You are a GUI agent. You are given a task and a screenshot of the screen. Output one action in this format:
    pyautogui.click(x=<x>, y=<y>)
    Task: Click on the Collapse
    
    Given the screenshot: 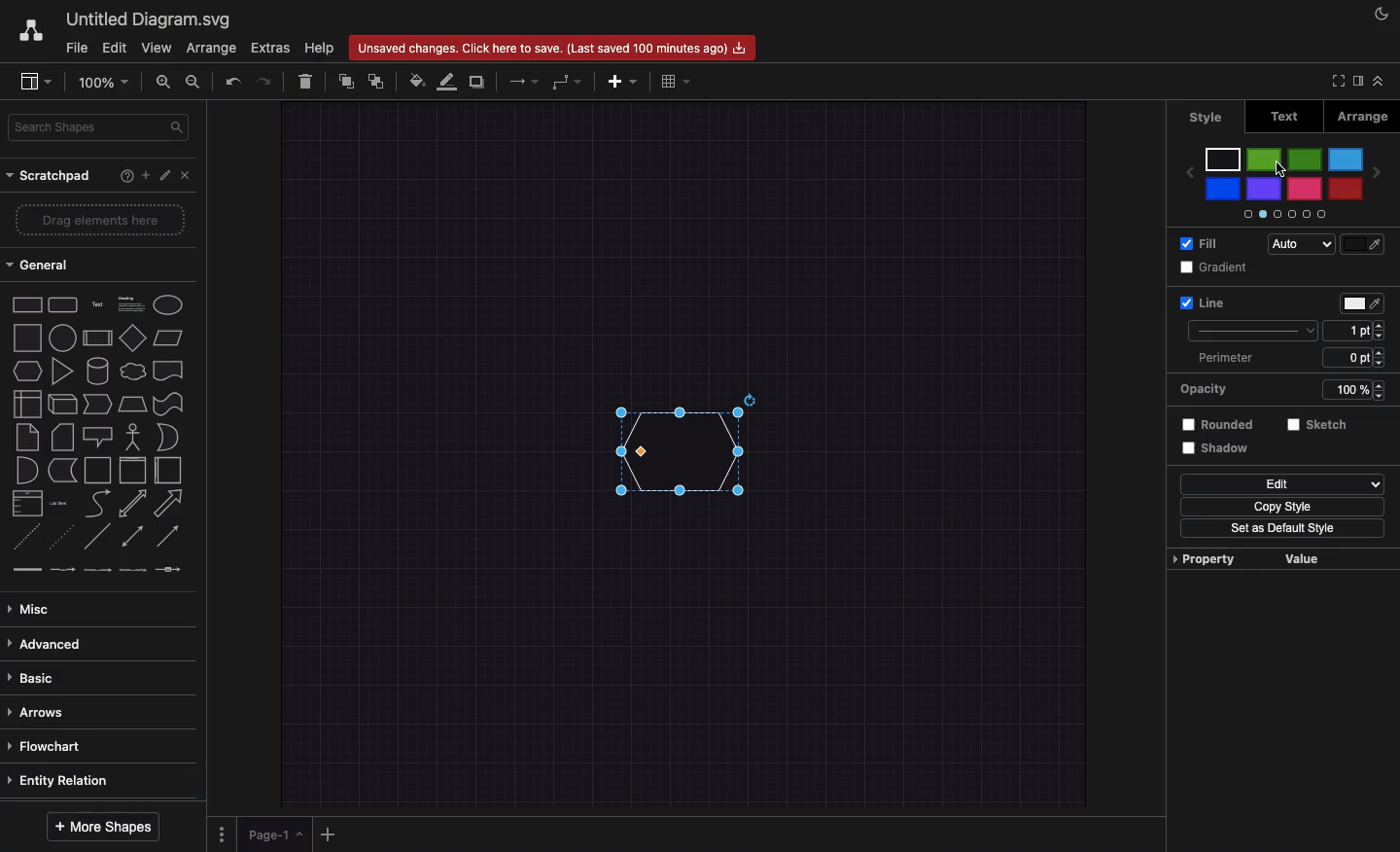 What is the action you would take?
    pyautogui.click(x=1379, y=82)
    